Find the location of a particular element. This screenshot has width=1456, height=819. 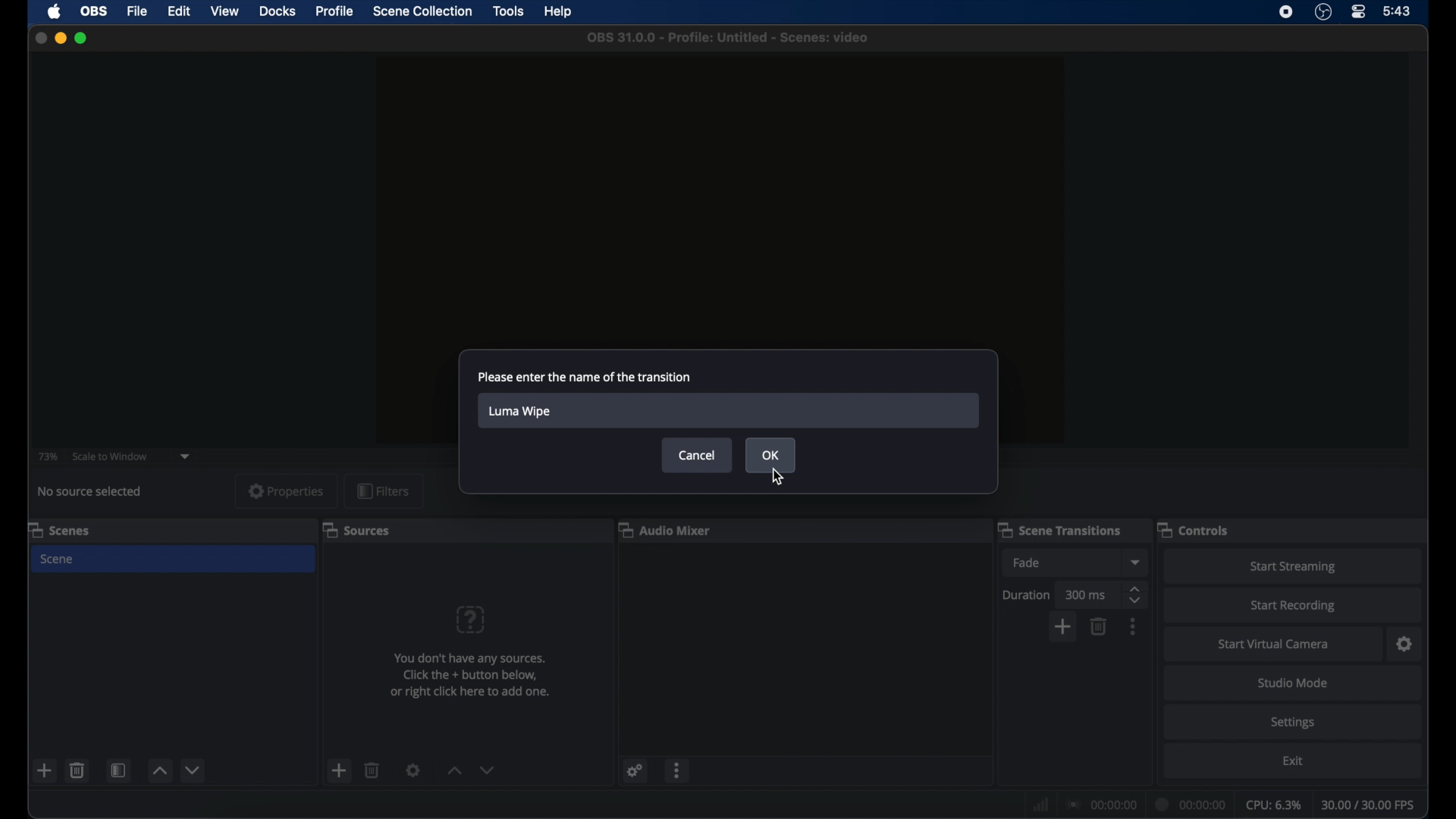

minimize is located at coordinates (61, 38).